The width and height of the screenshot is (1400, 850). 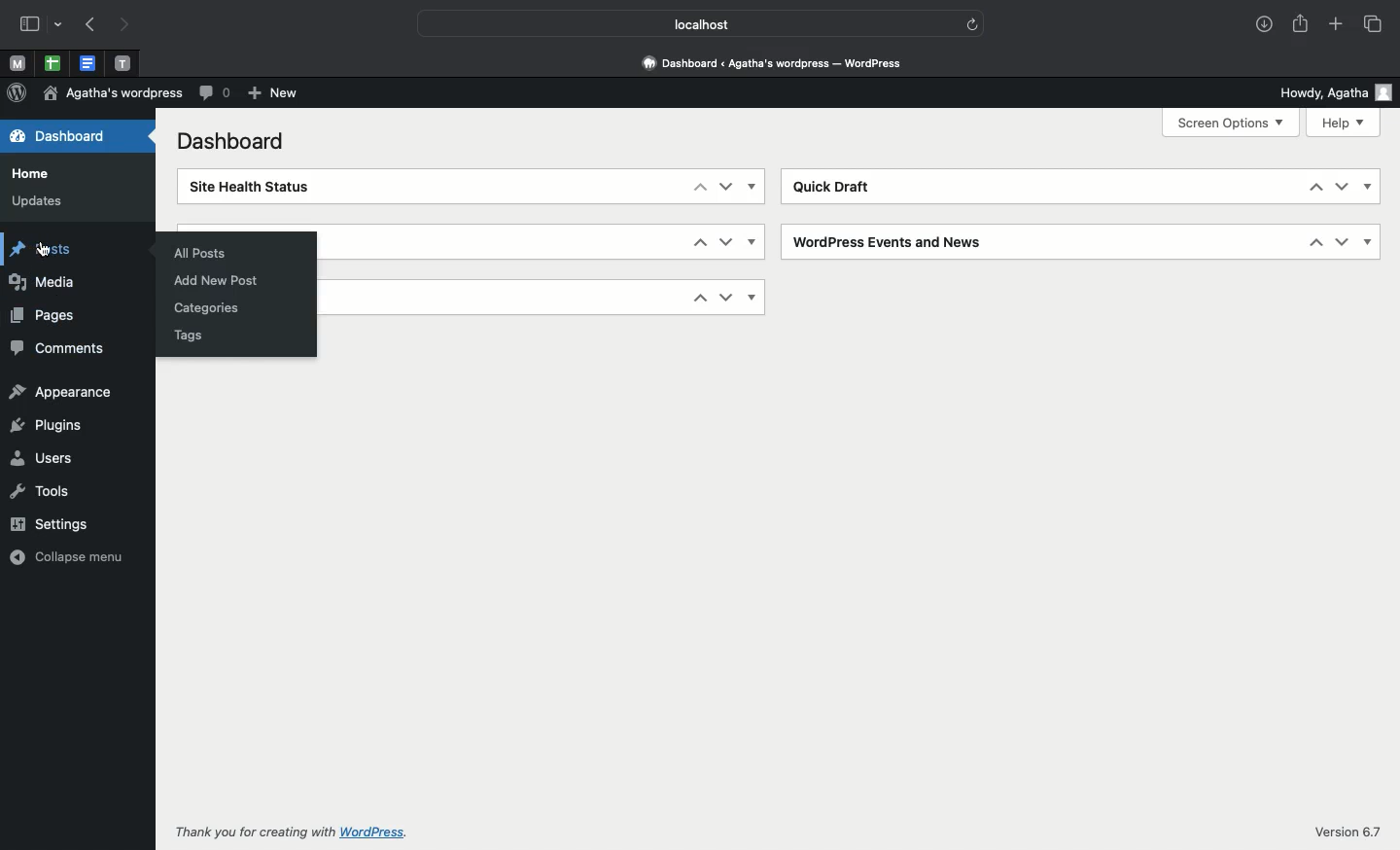 What do you see at coordinates (1233, 123) in the screenshot?
I see `Screen options` at bounding box center [1233, 123].